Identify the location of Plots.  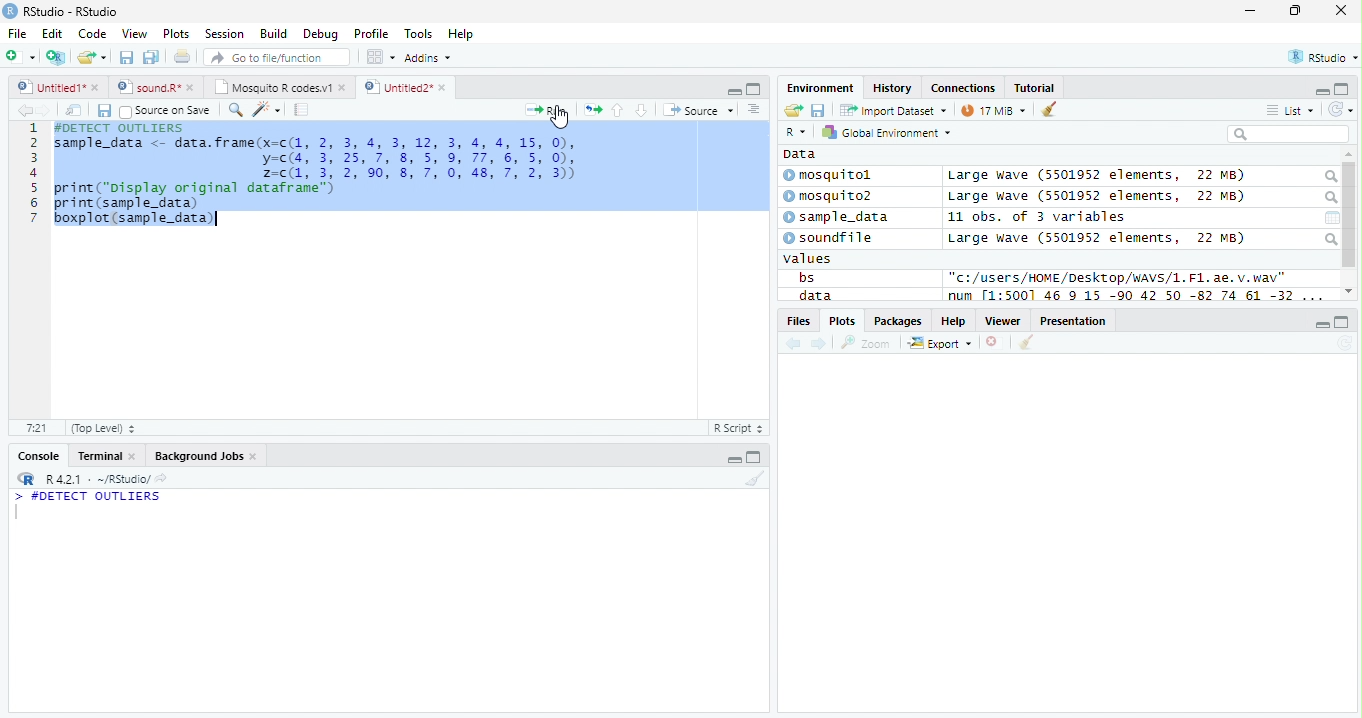
(177, 34).